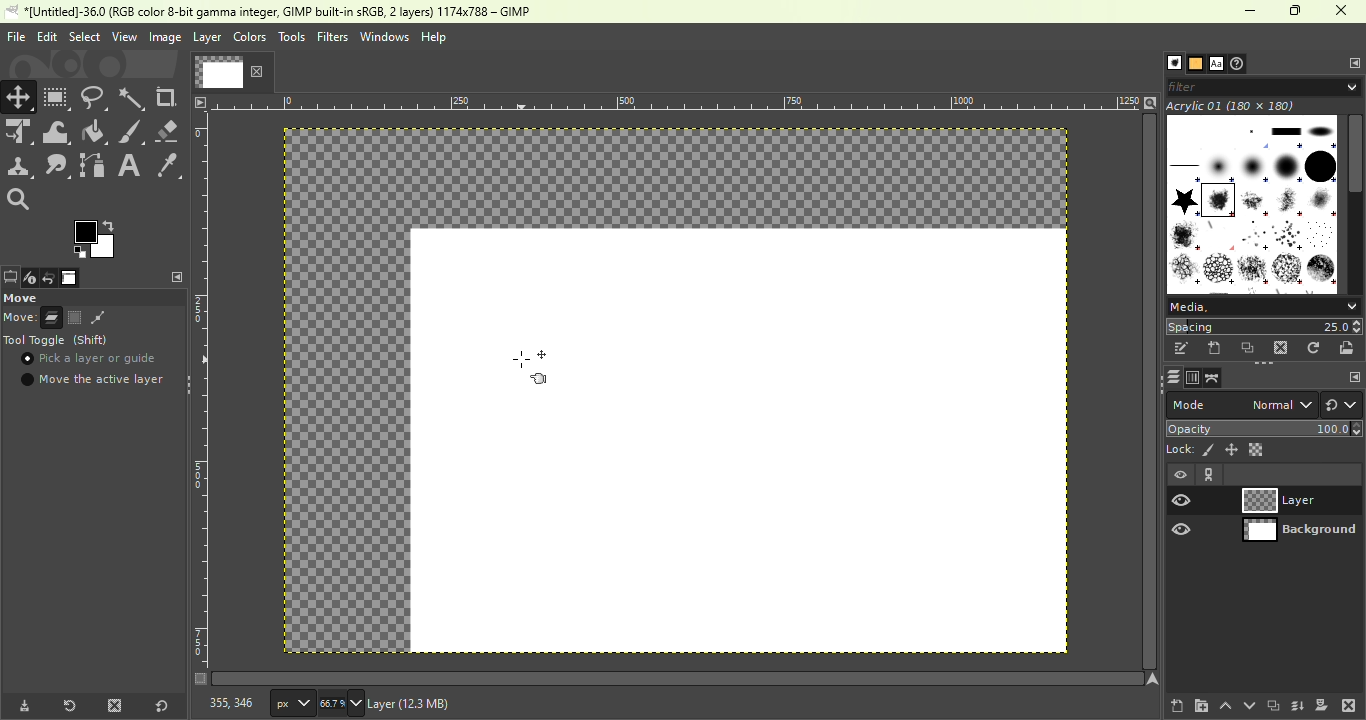 The width and height of the screenshot is (1366, 720). What do you see at coordinates (46, 279) in the screenshot?
I see `Undo history` at bounding box center [46, 279].